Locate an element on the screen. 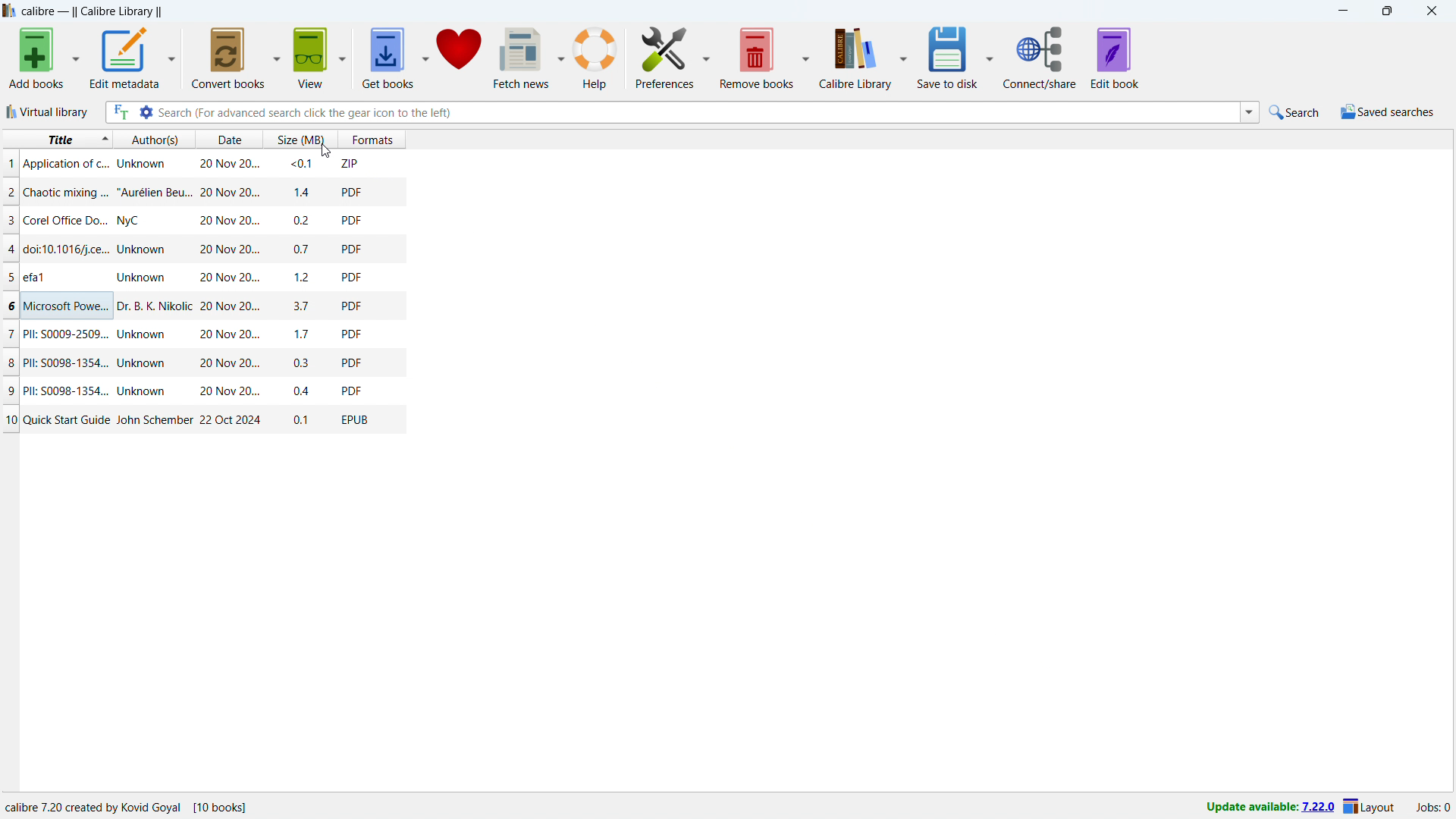 Image resolution: width=1456 pixels, height=819 pixels. size is located at coordinates (302, 309).